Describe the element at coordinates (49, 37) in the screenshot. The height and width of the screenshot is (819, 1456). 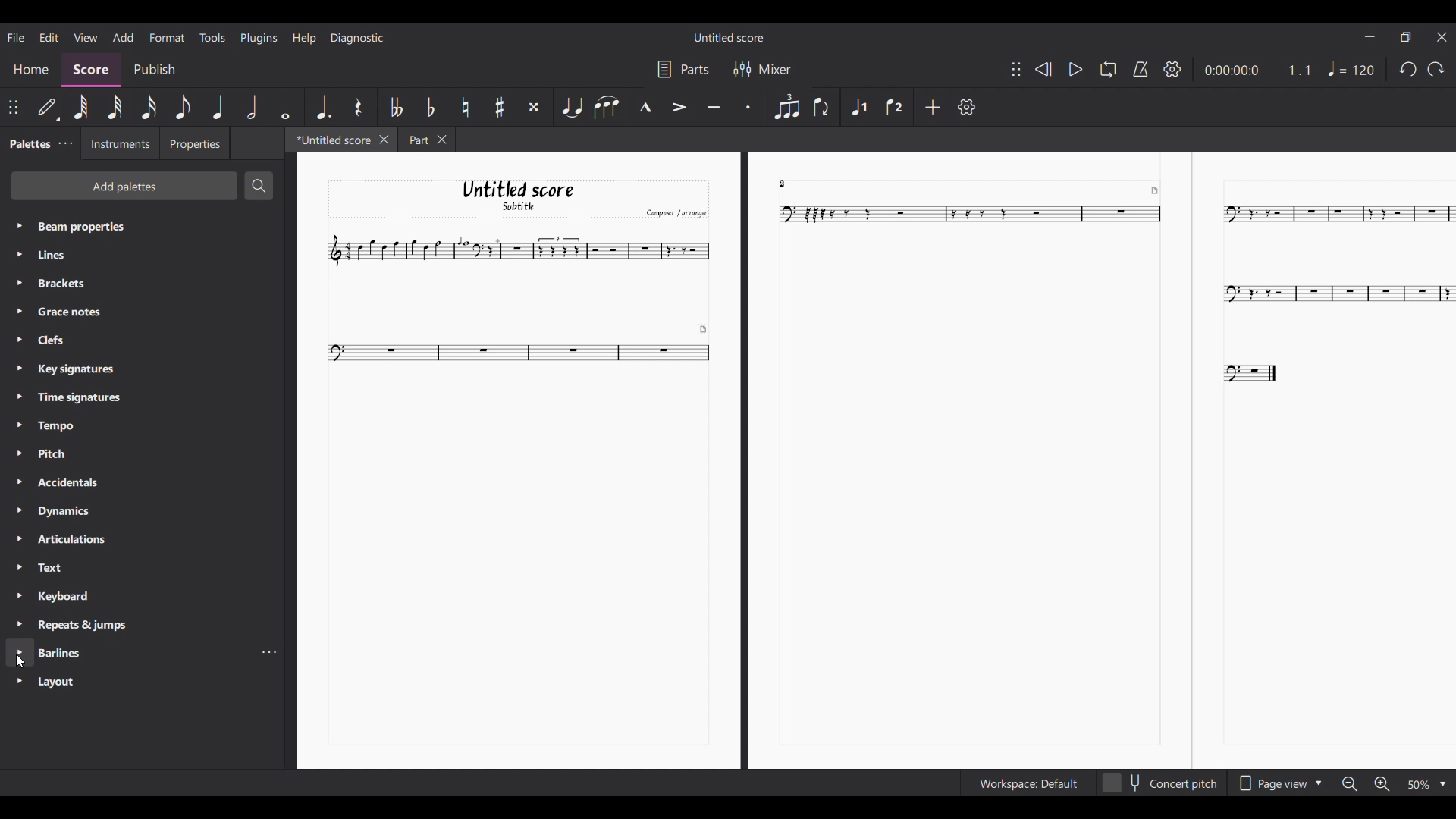
I see `Edit menu` at that location.